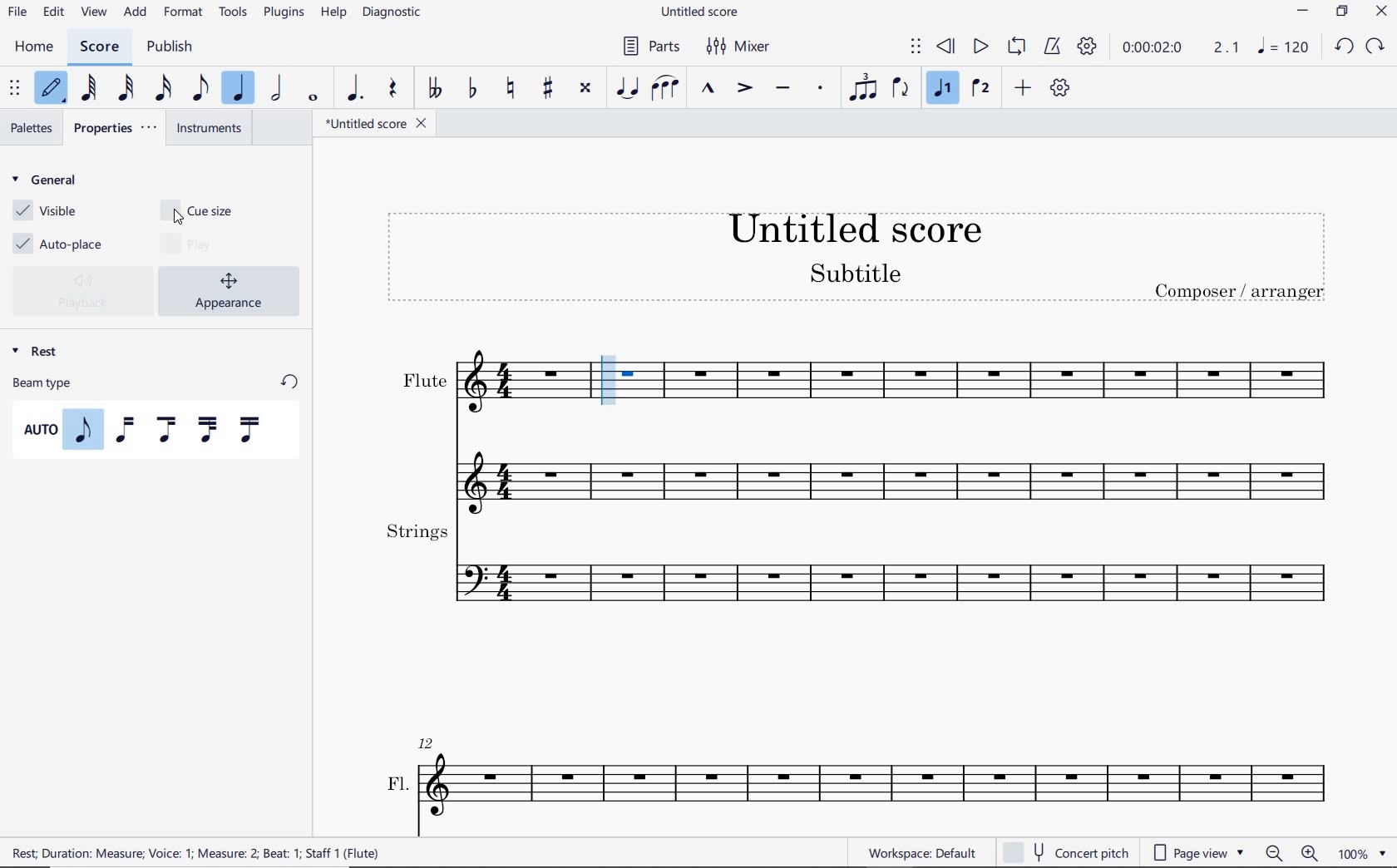 This screenshot has width=1397, height=868. What do you see at coordinates (916, 47) in the screenshot?
I see `SELECT TO MOVE` at bounding box center [916, 47].